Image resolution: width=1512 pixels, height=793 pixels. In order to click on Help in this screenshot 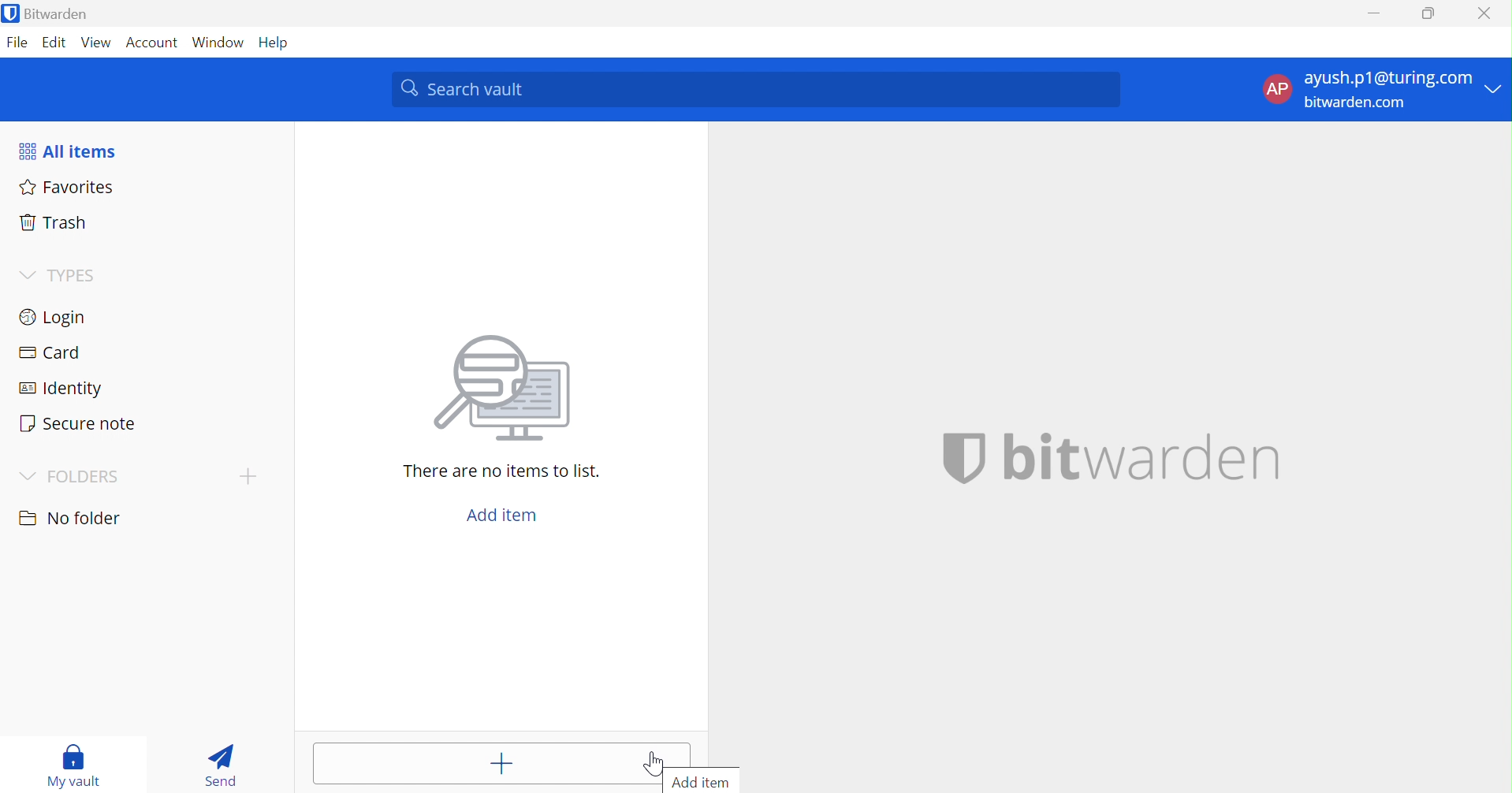, I will do `click(275, 43)`.